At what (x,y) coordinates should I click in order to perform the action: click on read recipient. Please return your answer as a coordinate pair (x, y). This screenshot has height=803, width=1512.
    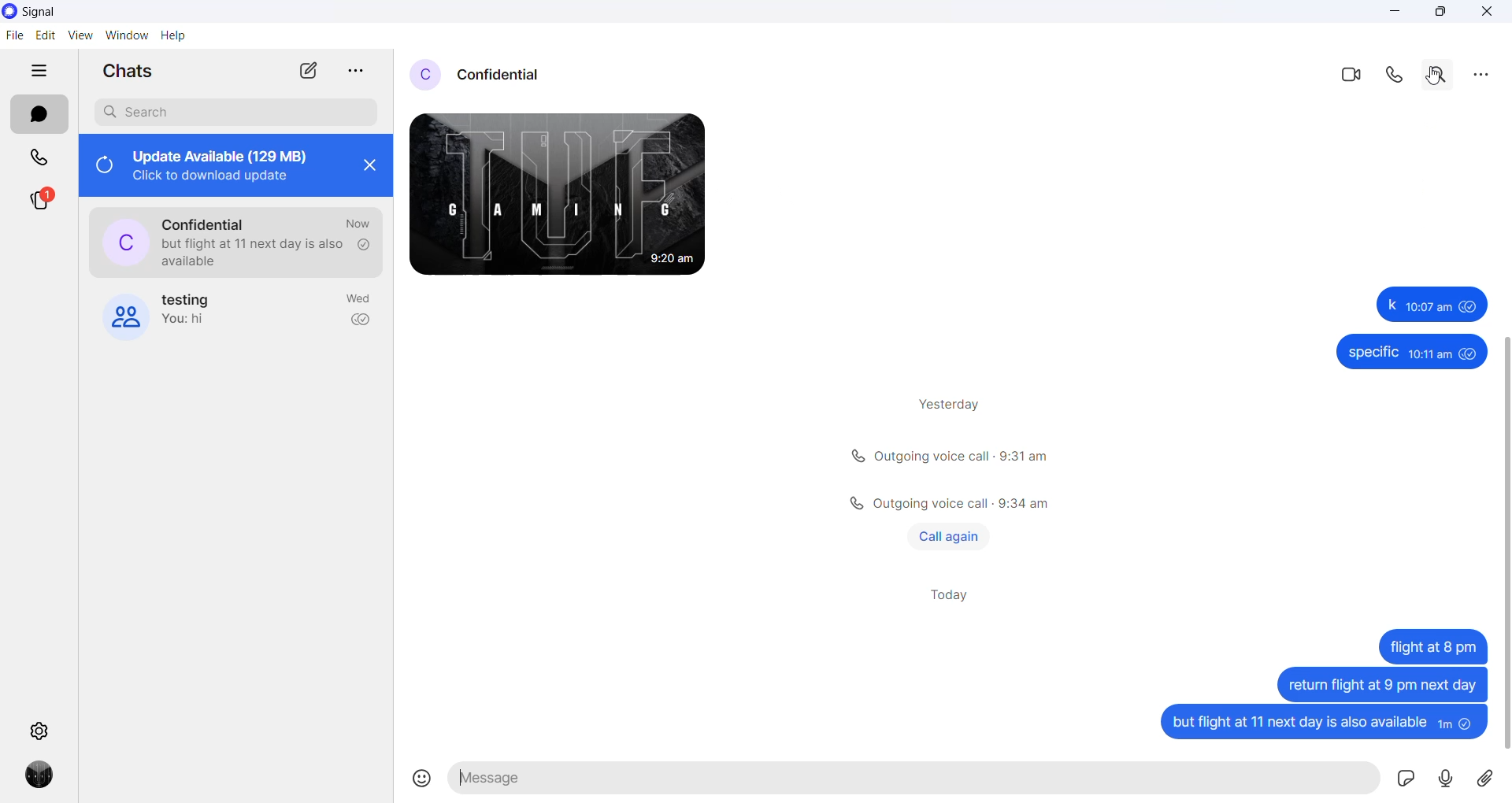
    Looking at the image, I should click on (361, 322).